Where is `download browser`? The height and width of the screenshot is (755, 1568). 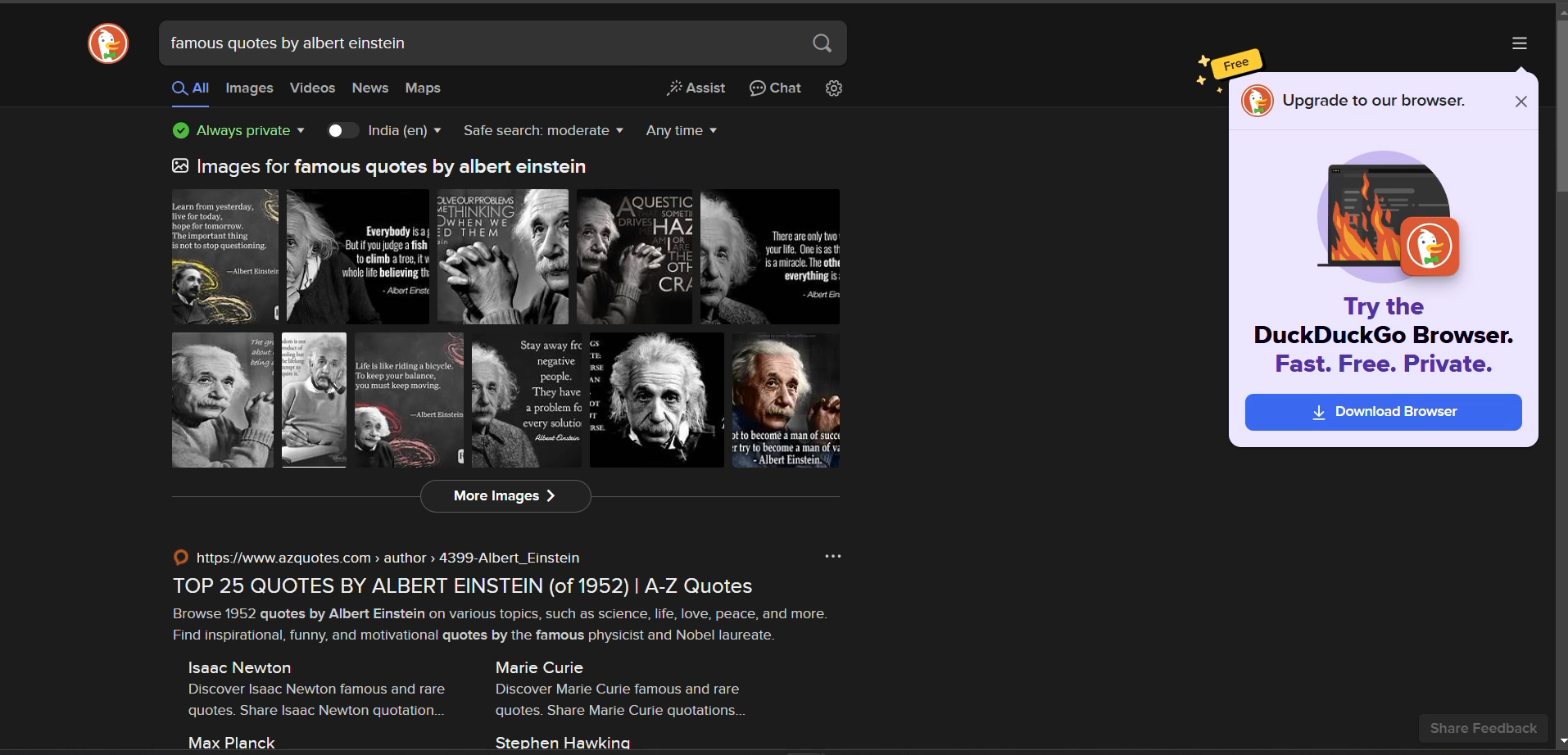
download browser is located at coordinates (1382, 412).